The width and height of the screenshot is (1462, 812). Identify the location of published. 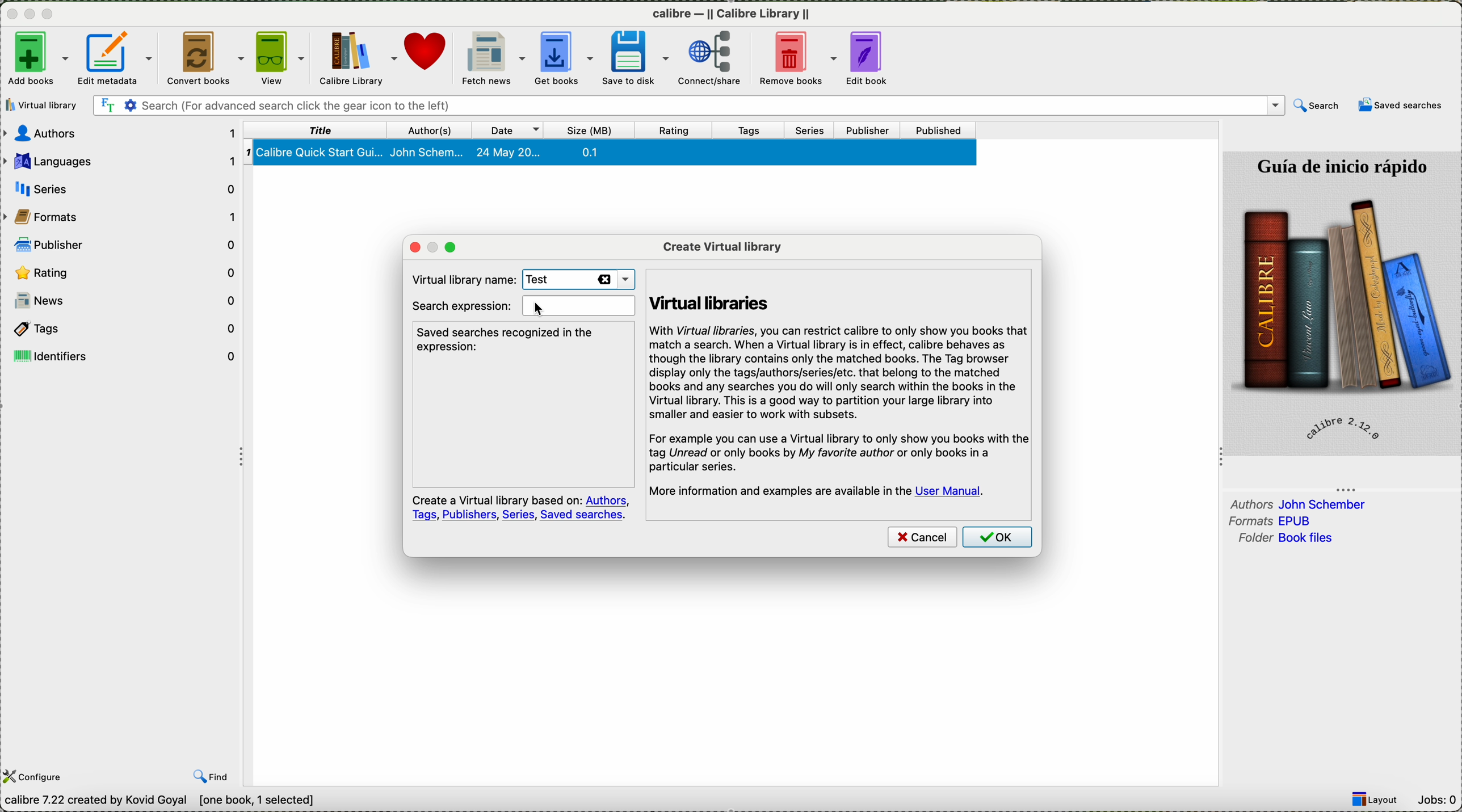
(940, 130).